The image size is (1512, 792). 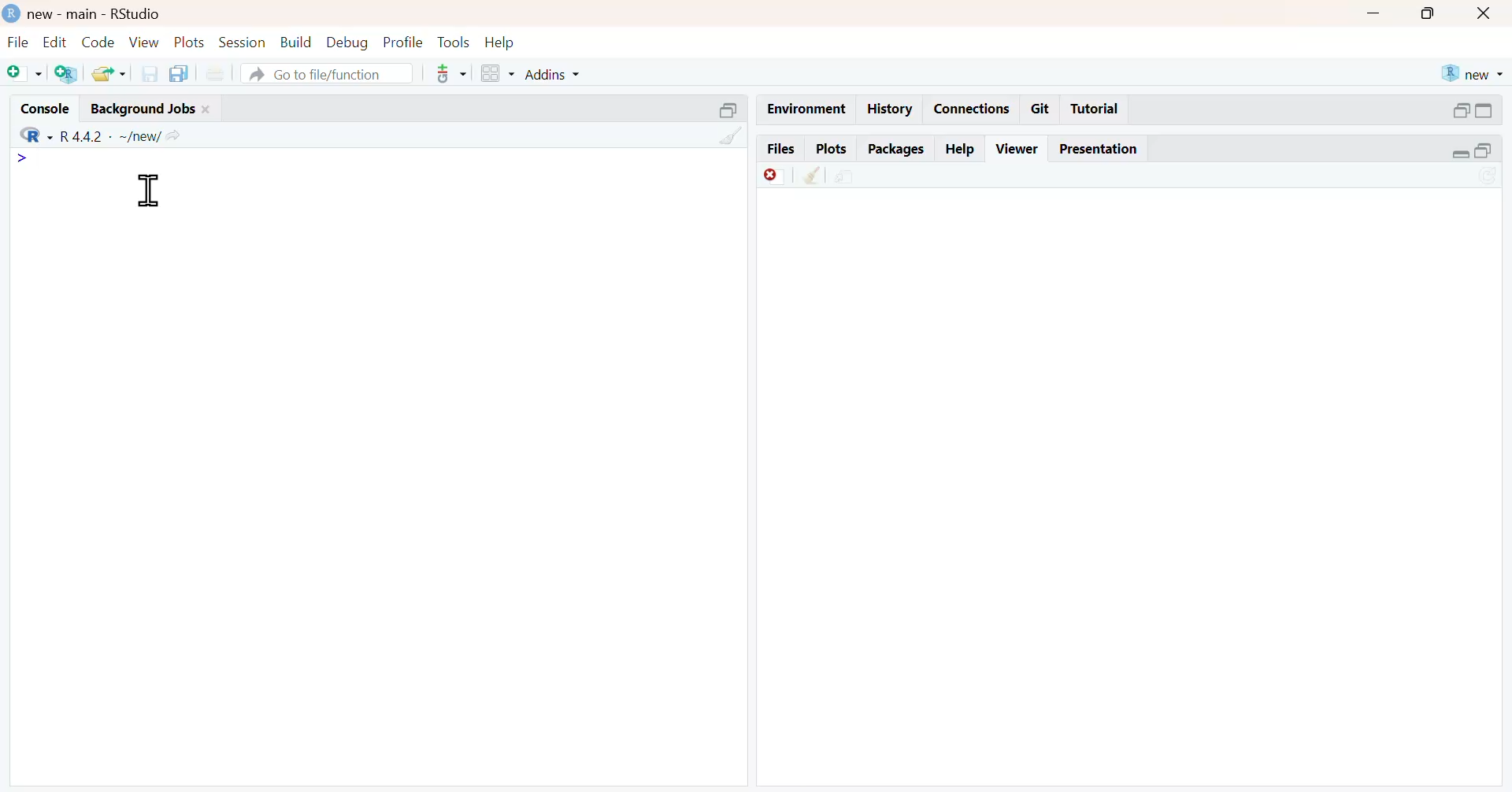 What do you see at coordinates (812, 176) in the screenshot?
I see `clear all viewer items` at bounding box center [812, 176].